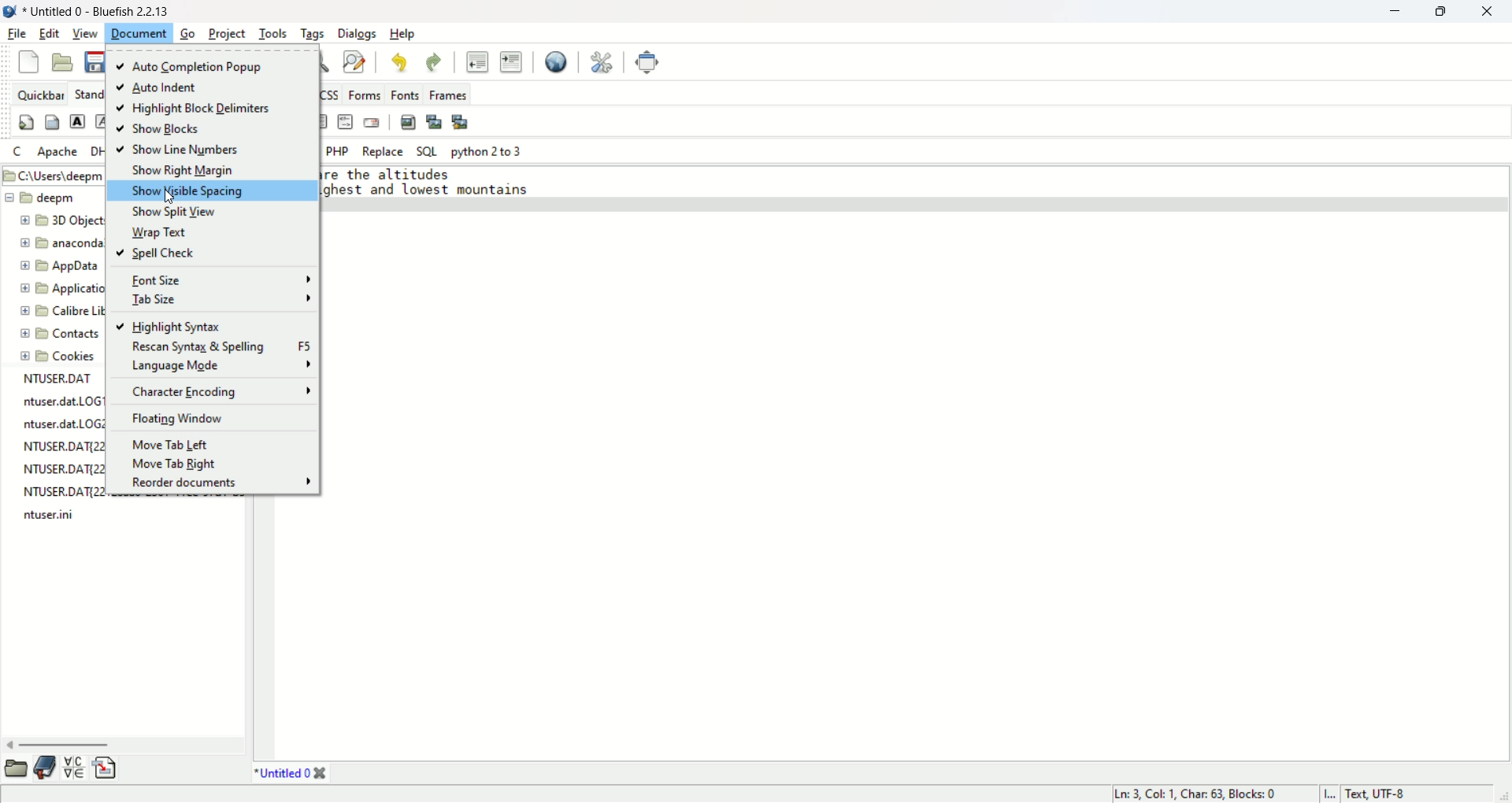 This screenshot has width=1512, height=803. I want to click on logo, so click(9, 12).